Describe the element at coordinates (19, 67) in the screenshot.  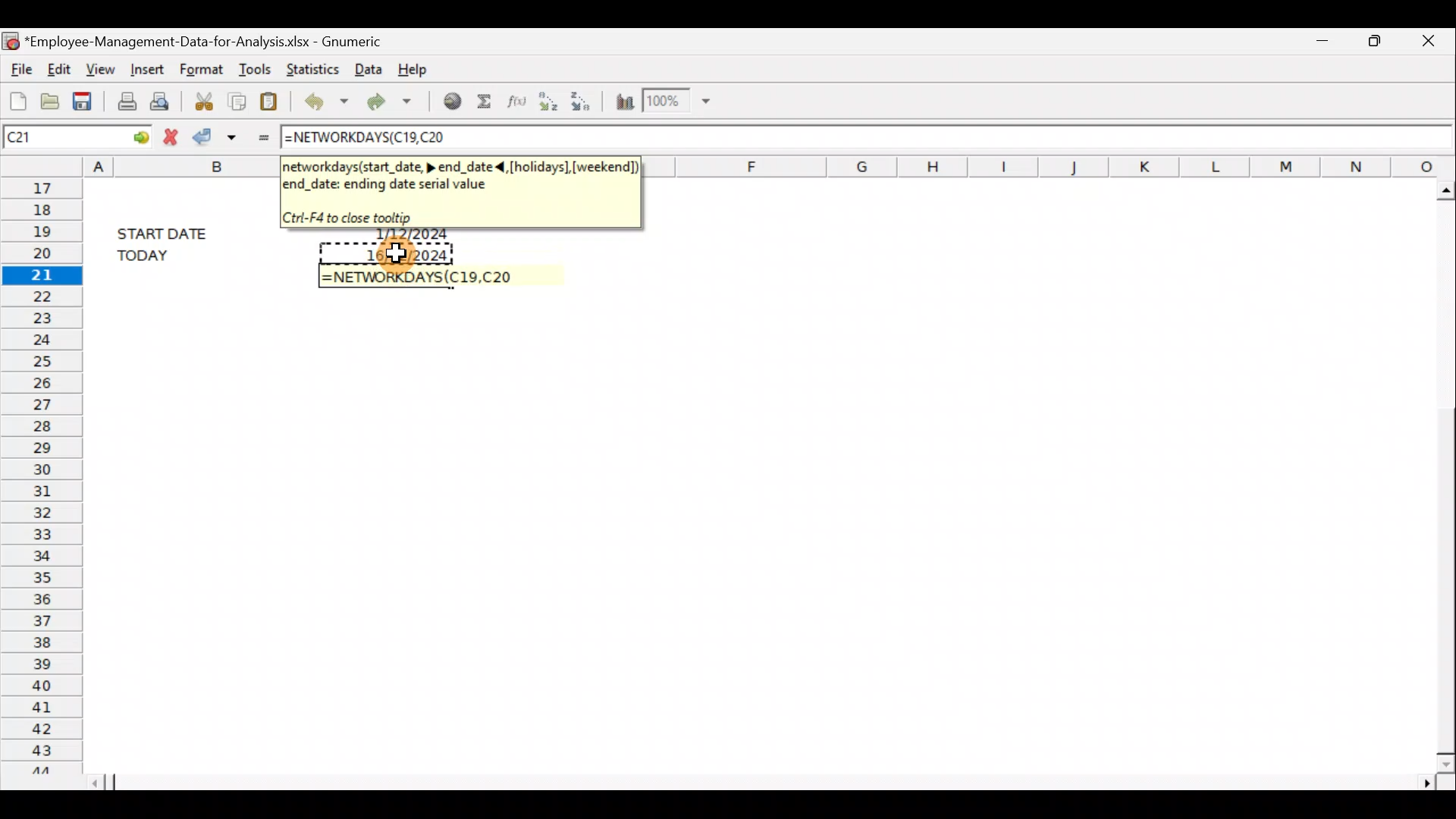
I see `File` at that location.